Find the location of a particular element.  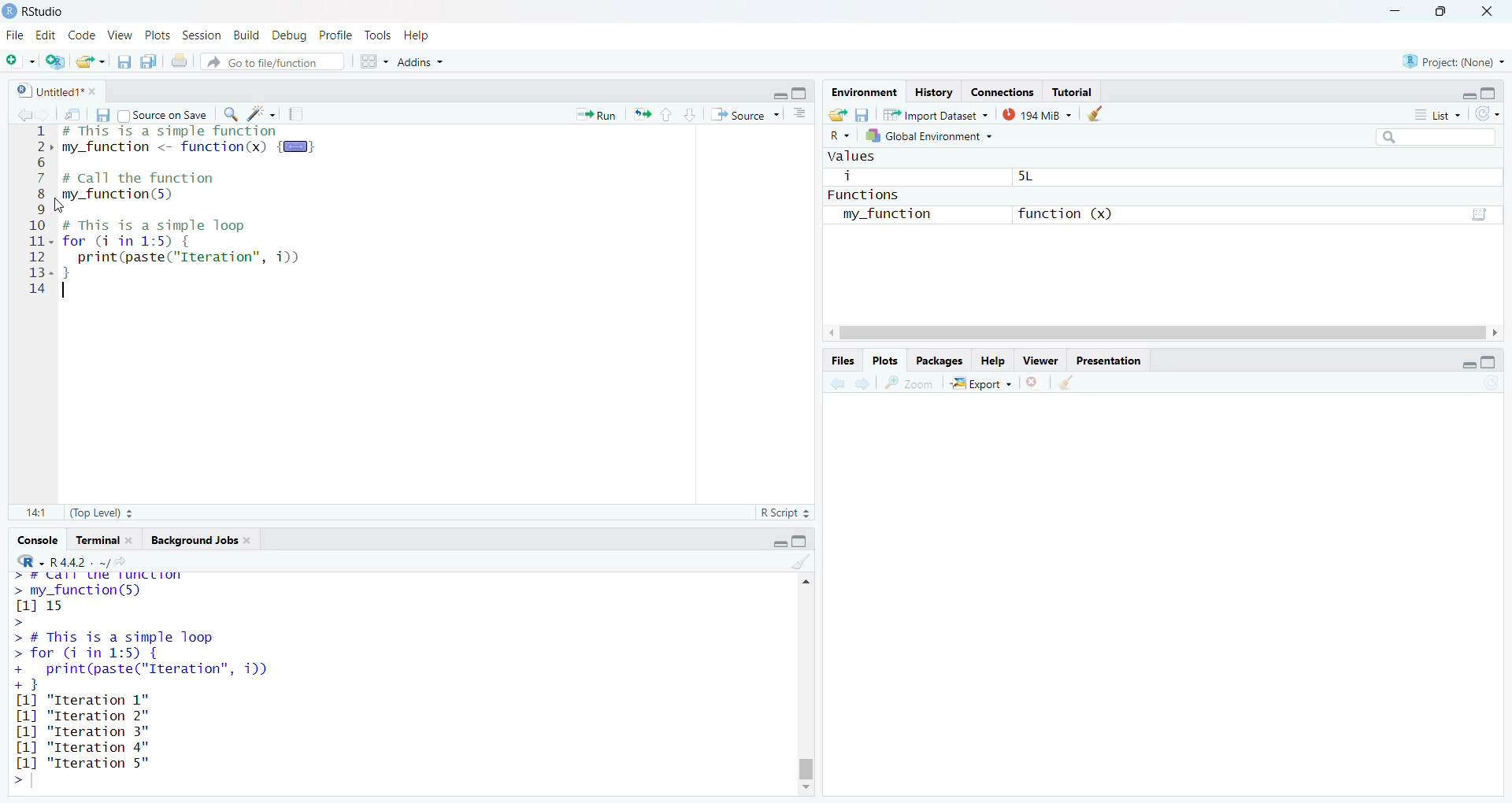

cursor is located at coordinates (60, 206).